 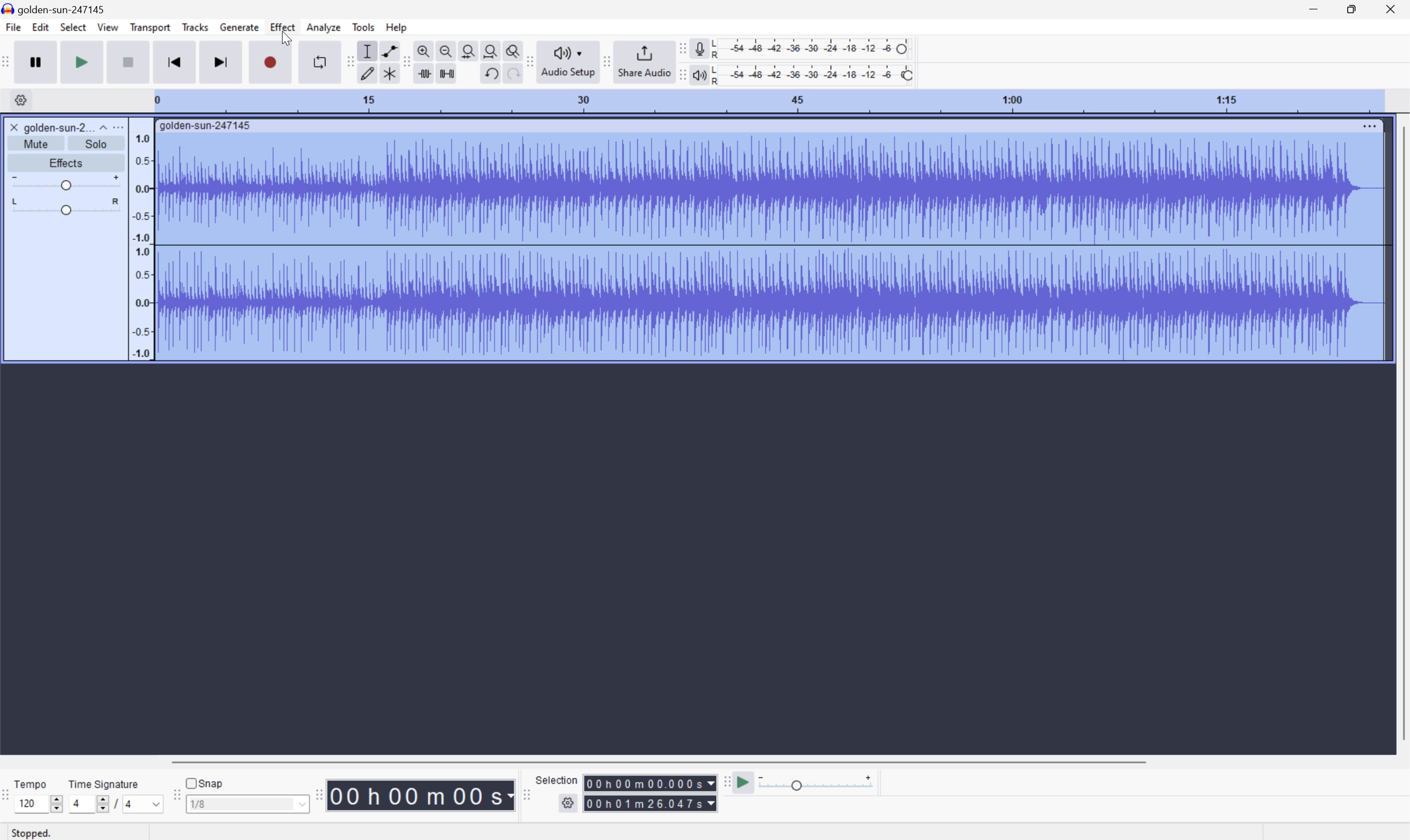 What do you see at coordinates (87, 804) in the screenshot?
I see `4` at bounding box center [87, 804].